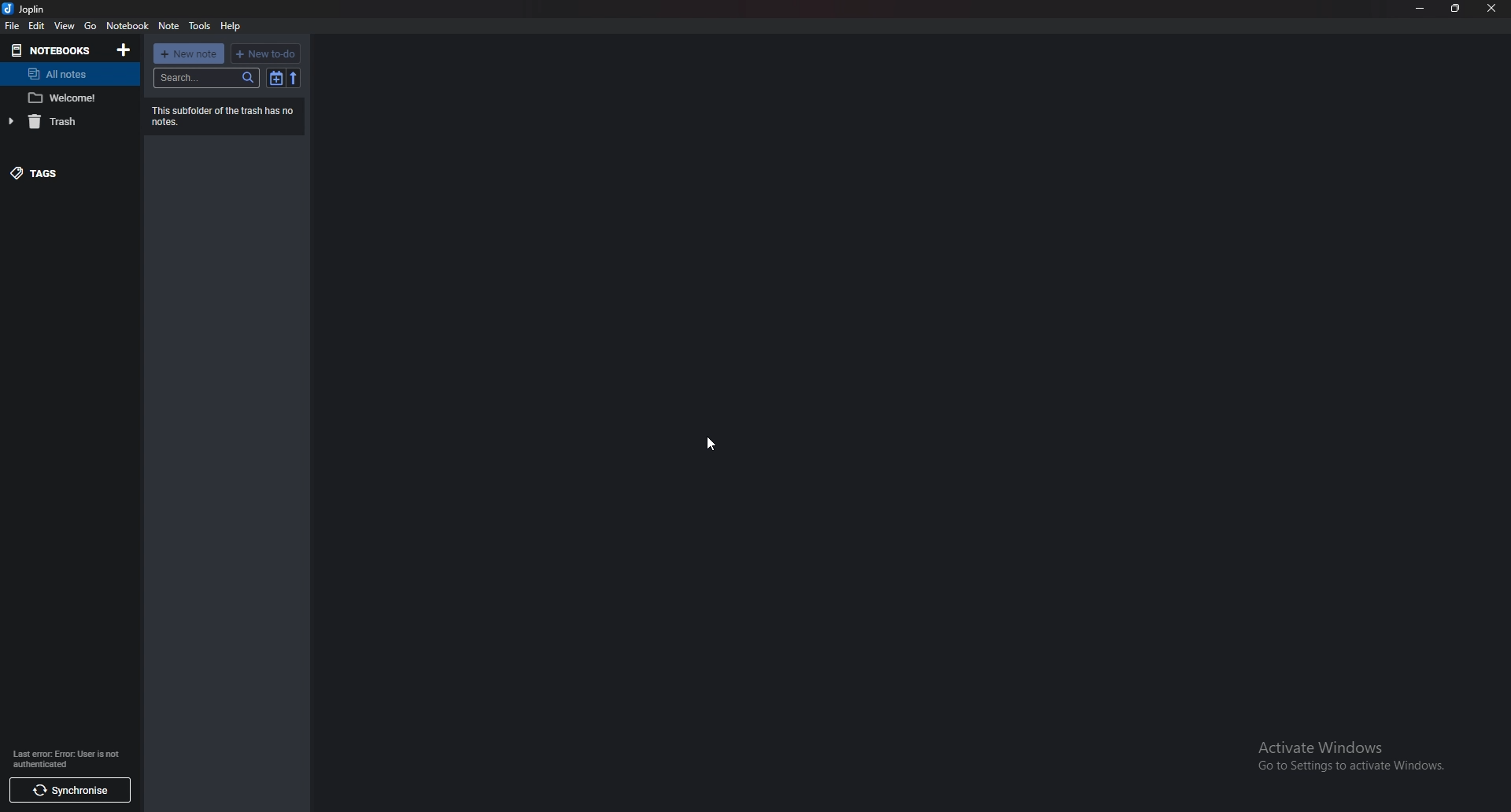 This screenshot has height=812, width=1511. Describe the element at coordinates (206, 78) in the screenshot. I see `search` at that location.